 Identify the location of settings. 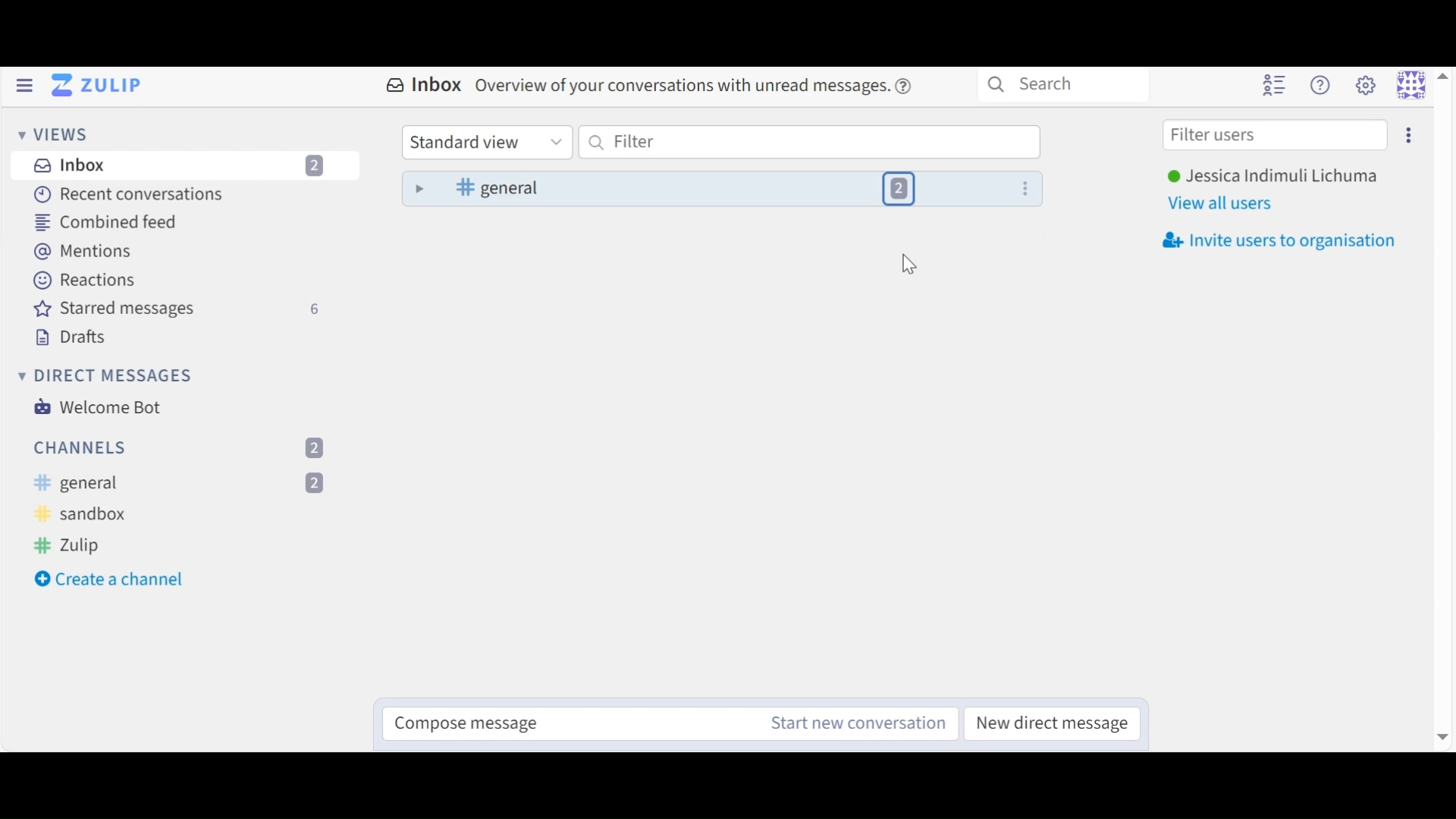
(1410, 136).